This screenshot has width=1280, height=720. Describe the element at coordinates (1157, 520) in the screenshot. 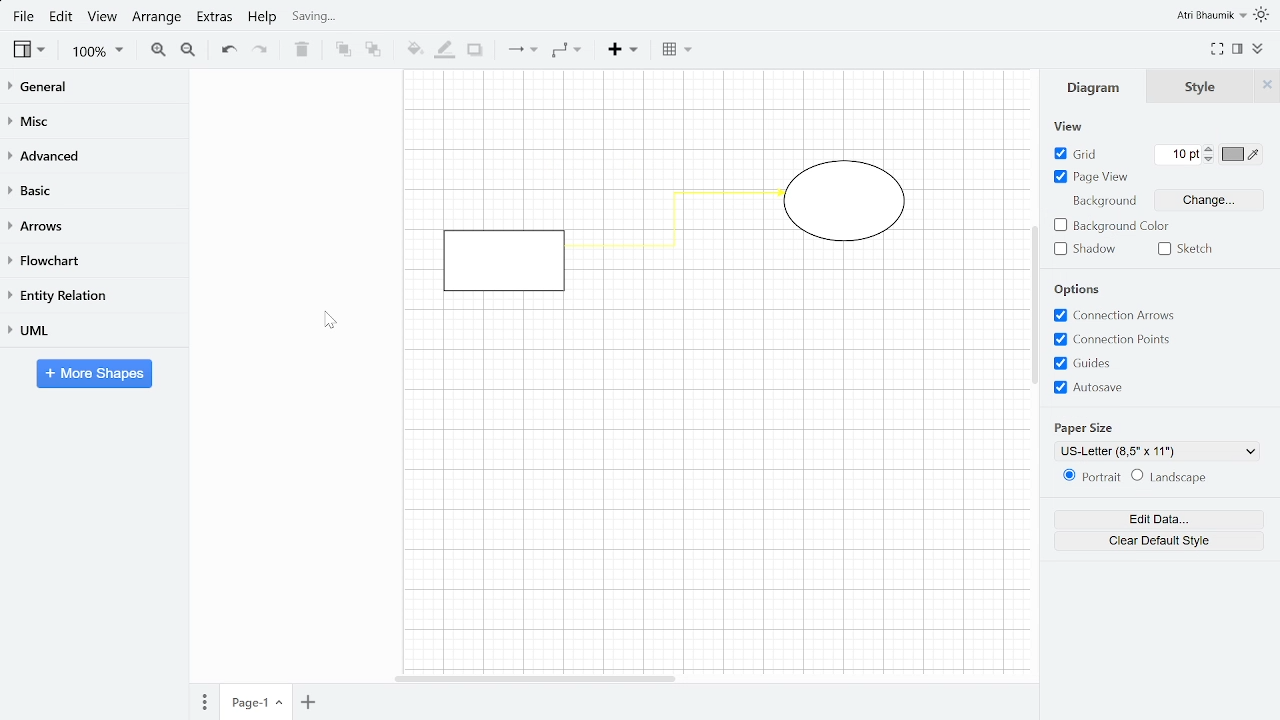

I see `Edit data` at that location.